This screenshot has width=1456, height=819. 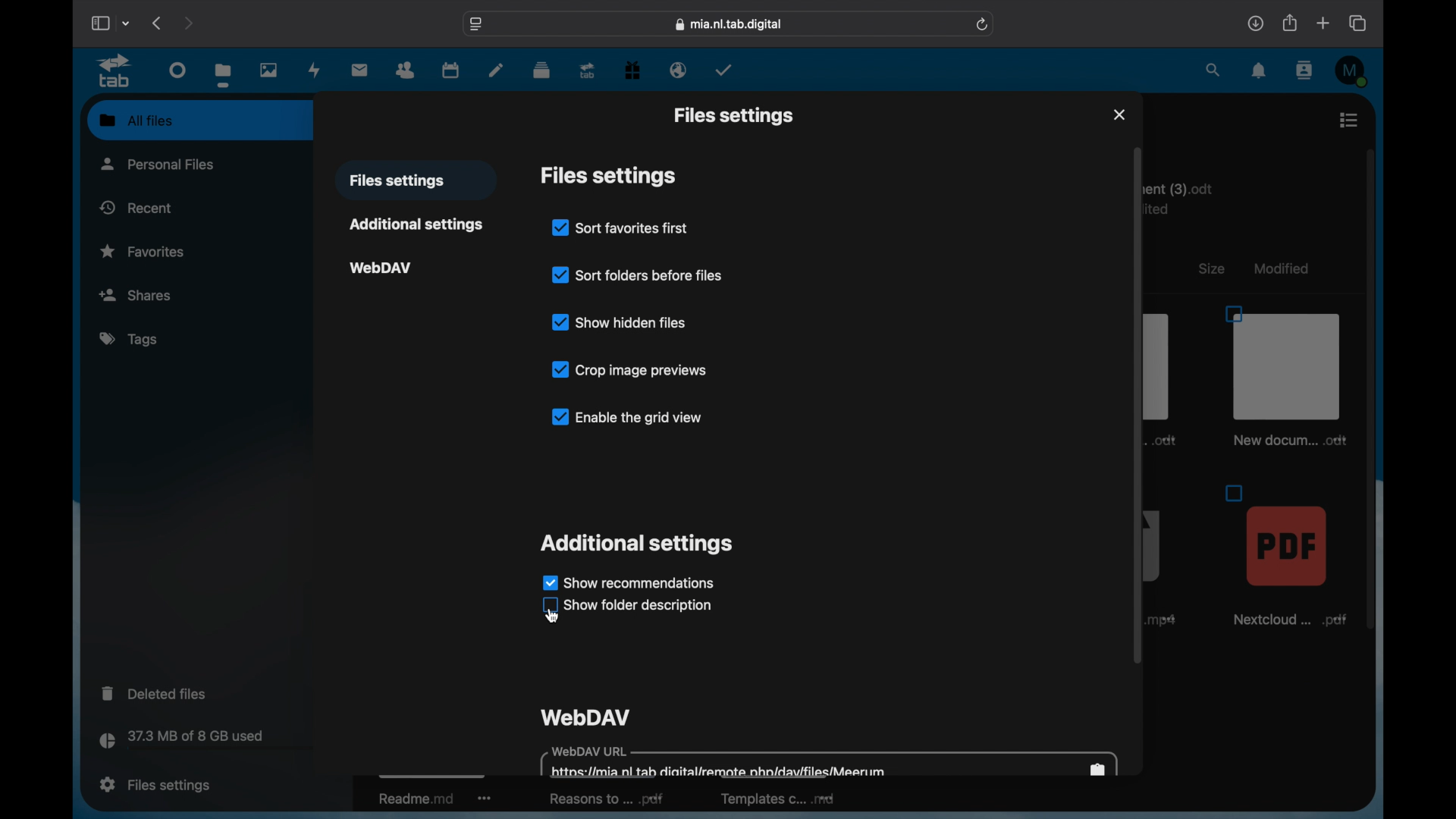 I want to click on notifications, so click(x=1260, y=71).